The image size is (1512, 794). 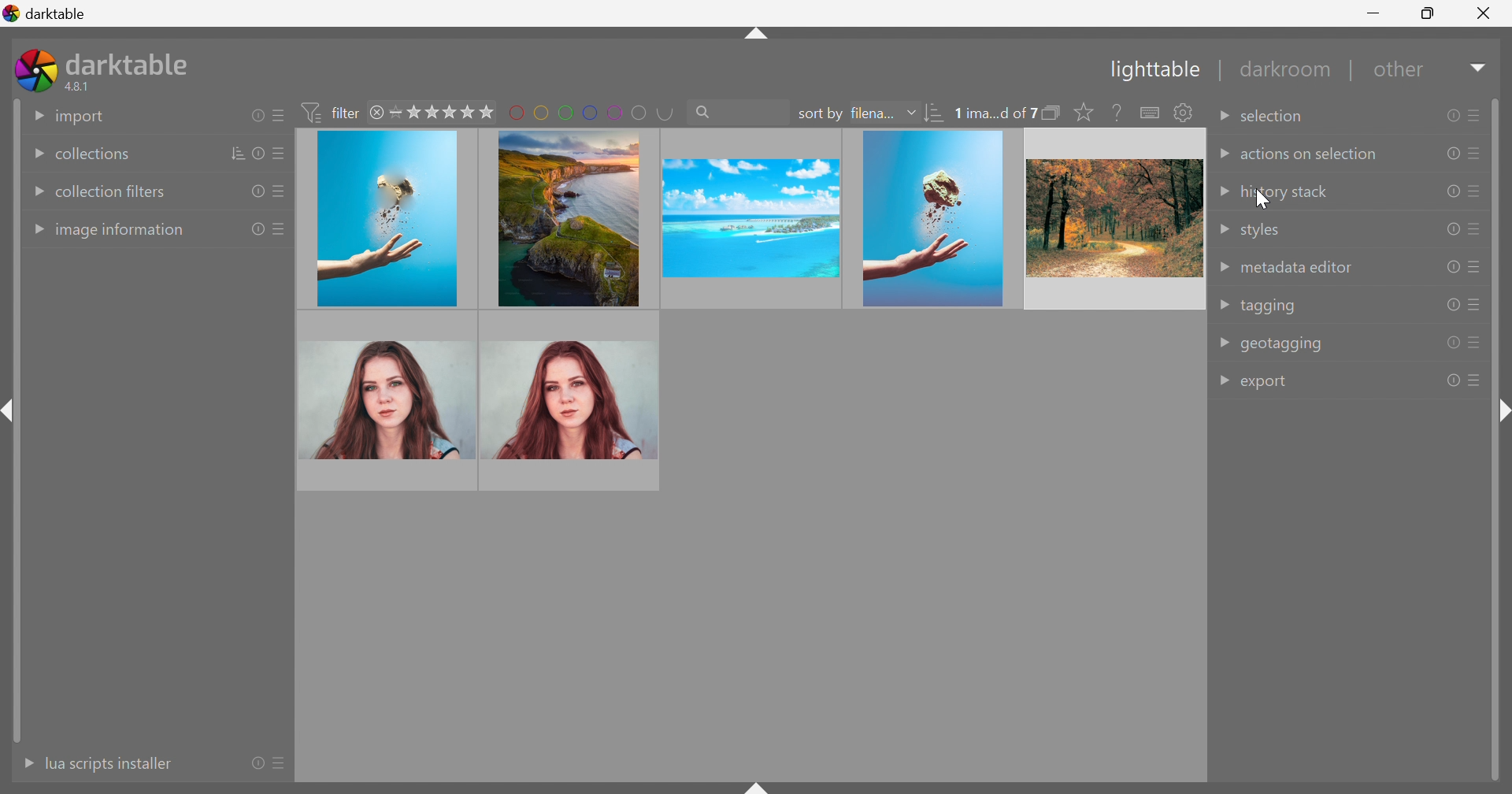 I want to click on 4.8.1, so click(x=83, y=87).